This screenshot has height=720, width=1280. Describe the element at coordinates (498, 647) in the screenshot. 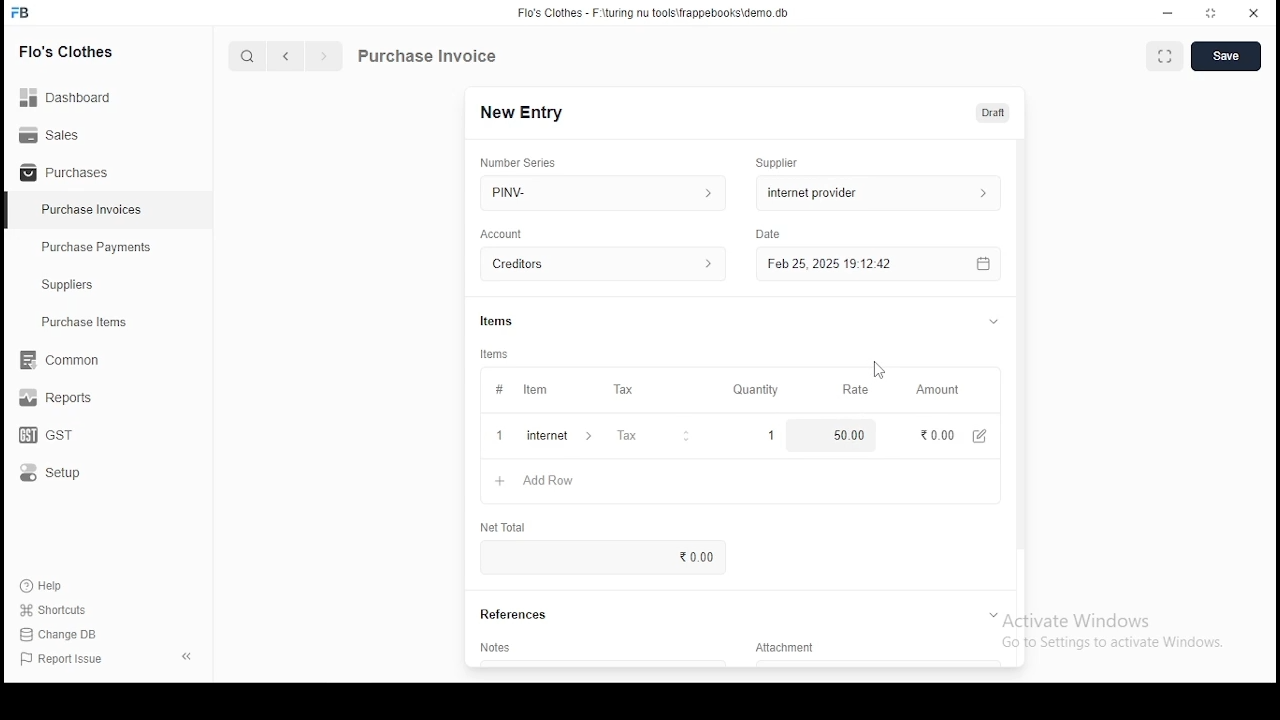

I see `notes` at that location.